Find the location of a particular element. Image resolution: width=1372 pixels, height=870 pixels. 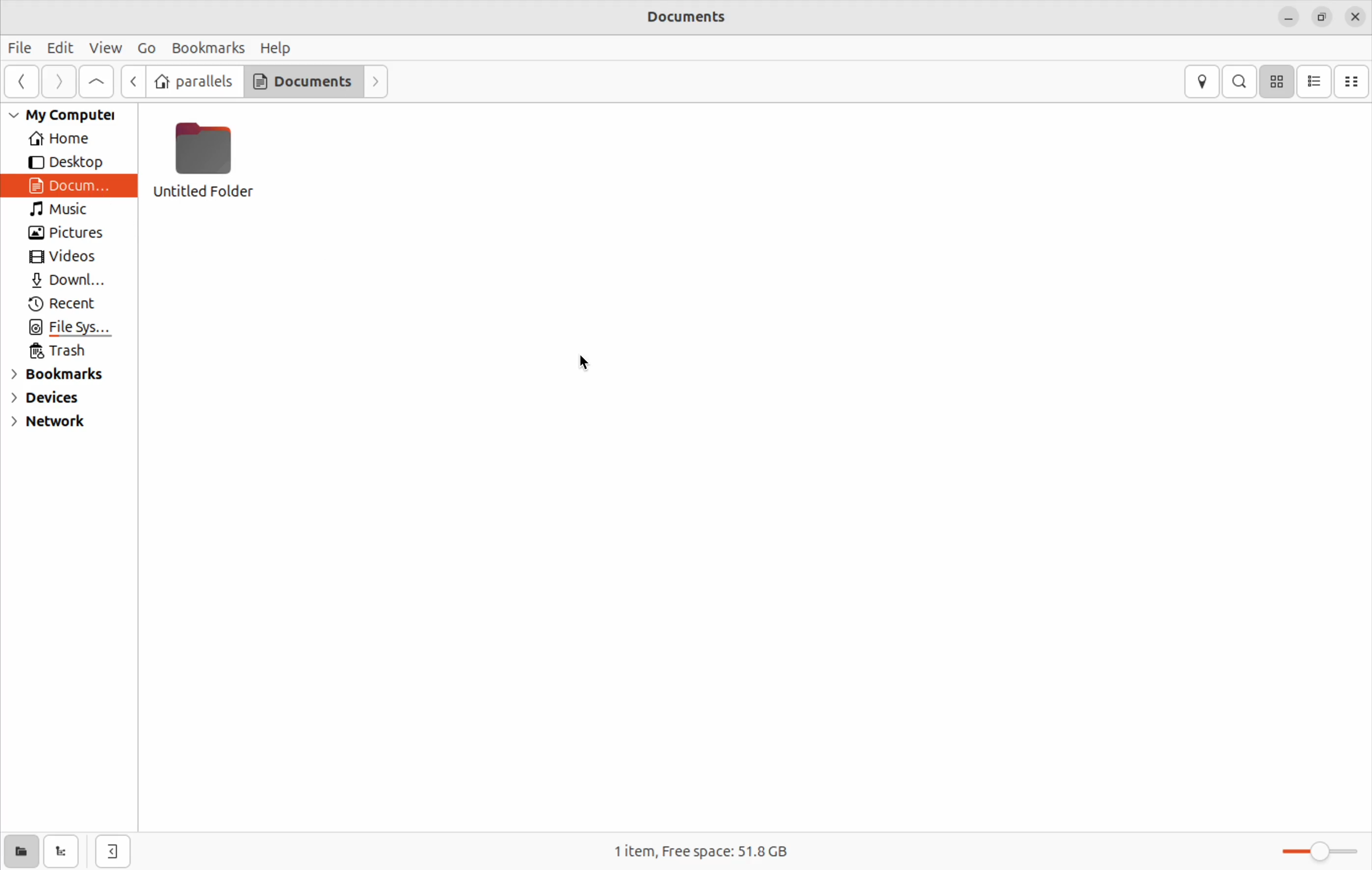

Compact view is located at coordinates (1354, 81).